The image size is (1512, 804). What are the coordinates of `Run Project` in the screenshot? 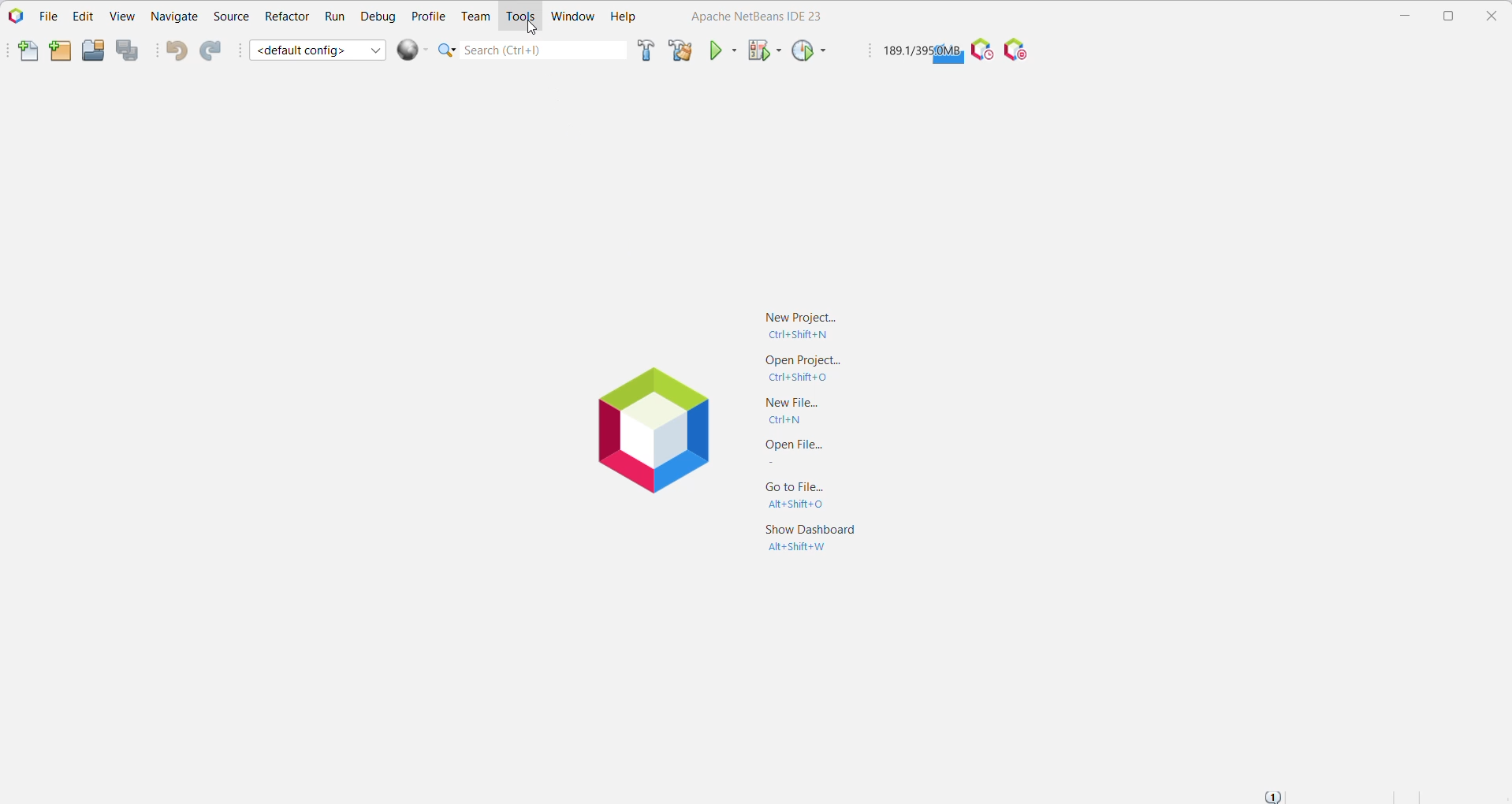 It's located at (723, 50).